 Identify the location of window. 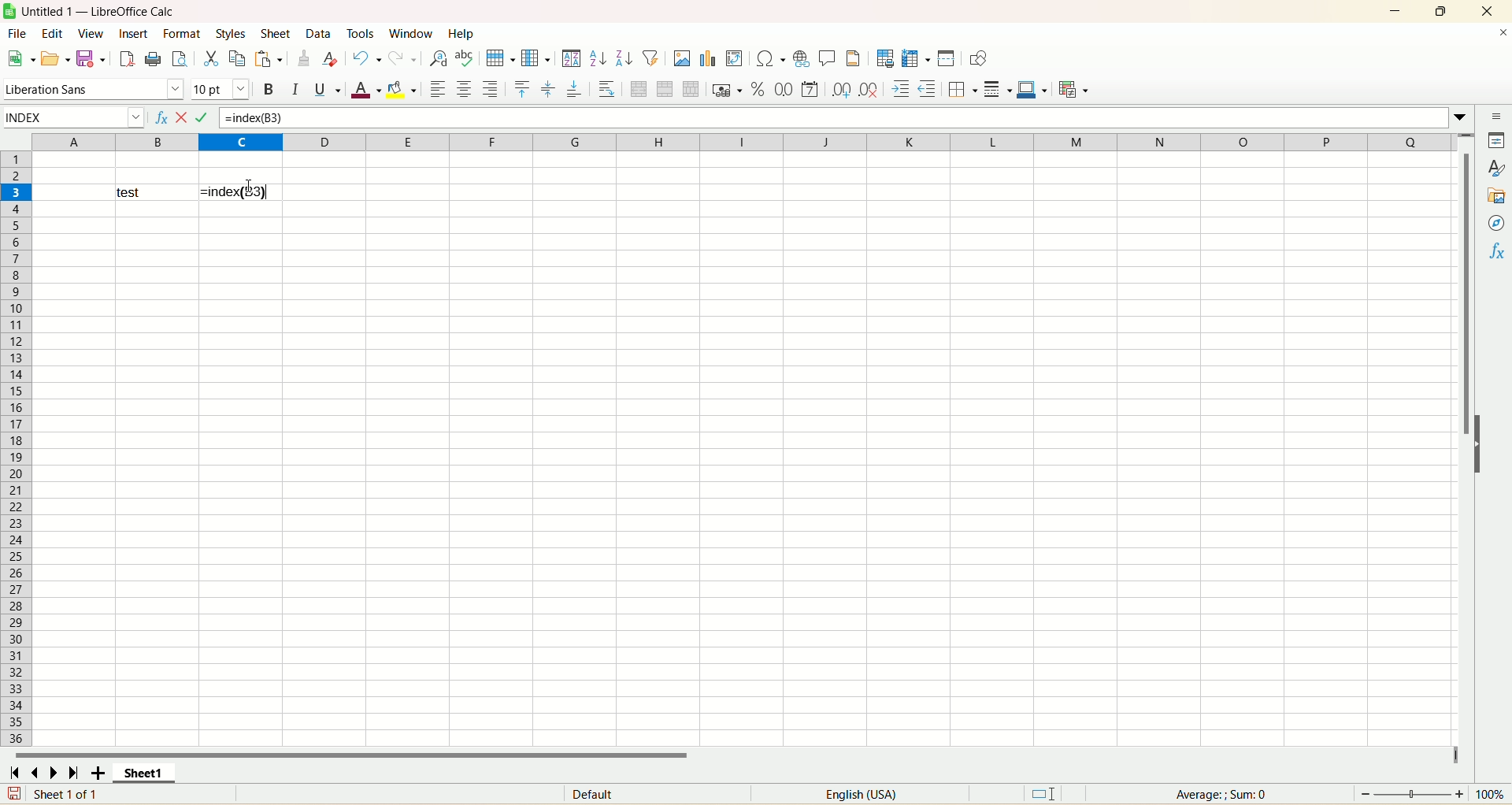
(414, 33).